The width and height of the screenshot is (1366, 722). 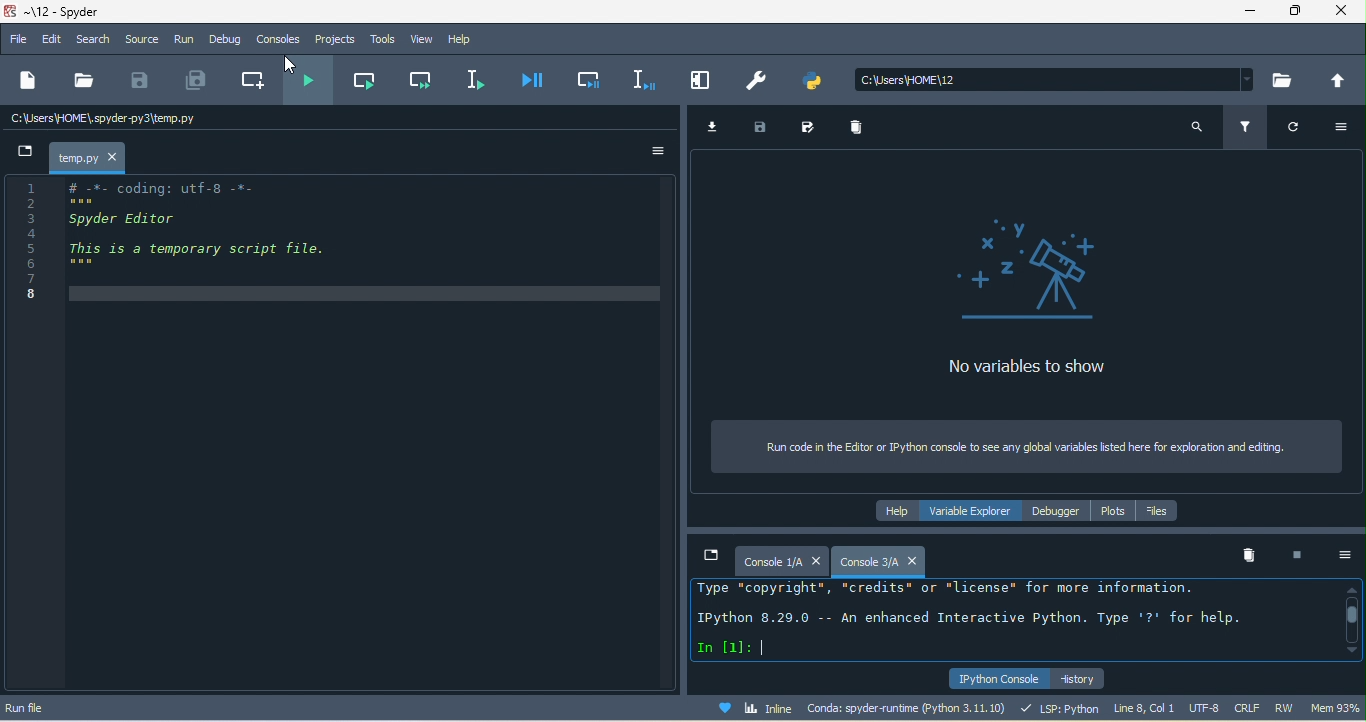 I want to click on interrupt kenel, so click(x=1301, y=557).